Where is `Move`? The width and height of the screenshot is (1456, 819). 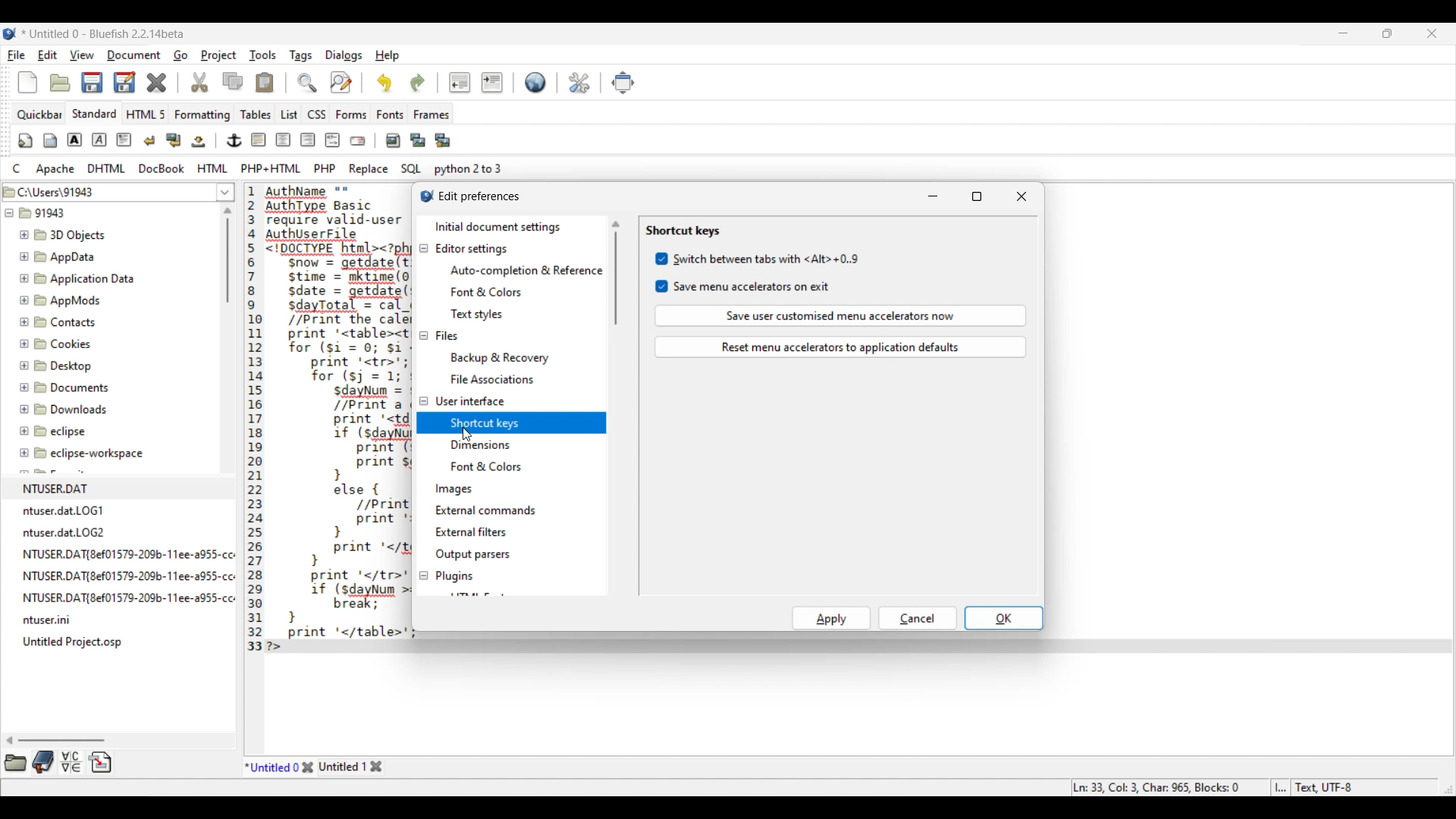
Move is located at coordinates (623, 83).